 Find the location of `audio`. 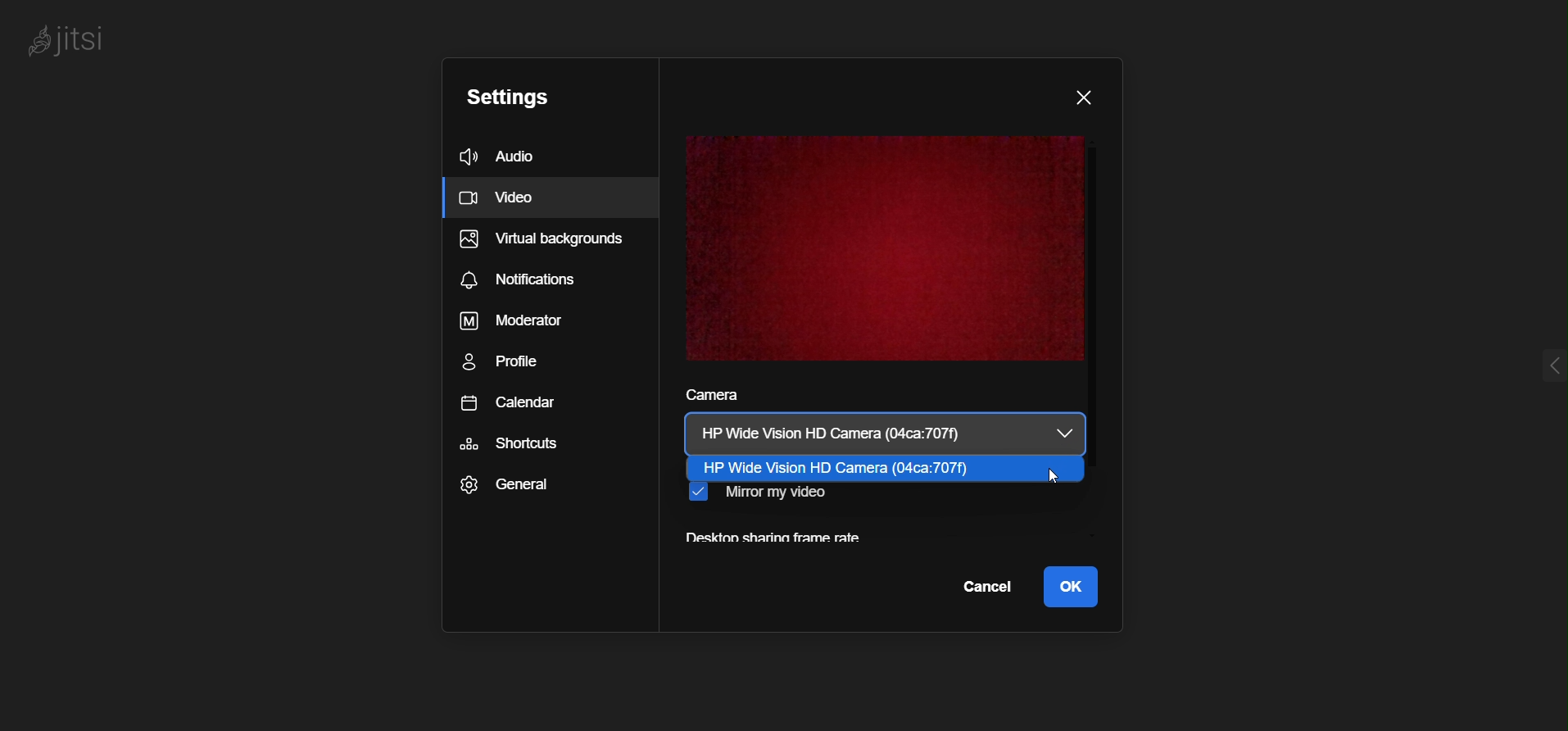

audio is located at coordinates (497, 153).